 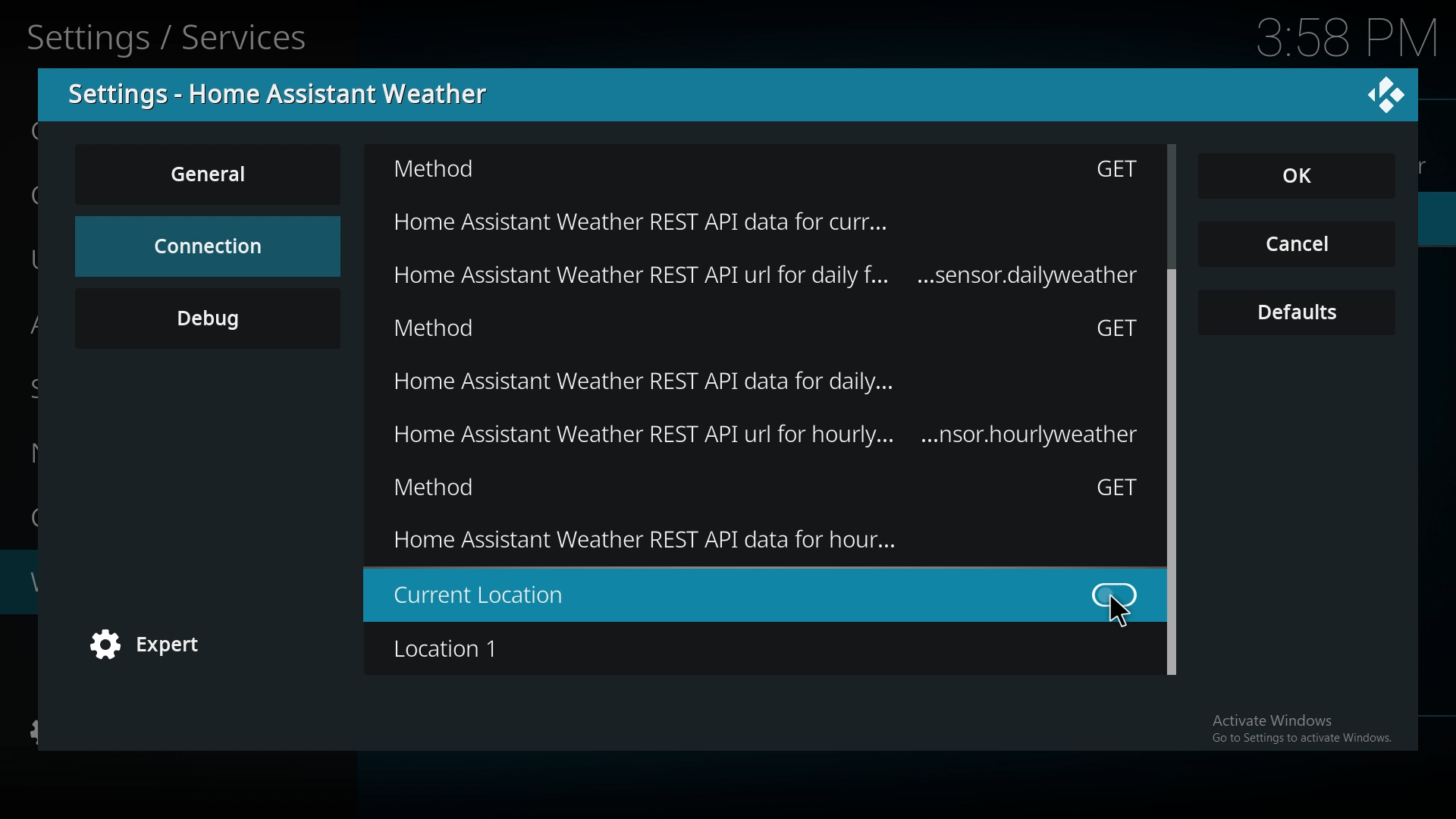 I want to click on cursor, so click(x=1120, y=611).